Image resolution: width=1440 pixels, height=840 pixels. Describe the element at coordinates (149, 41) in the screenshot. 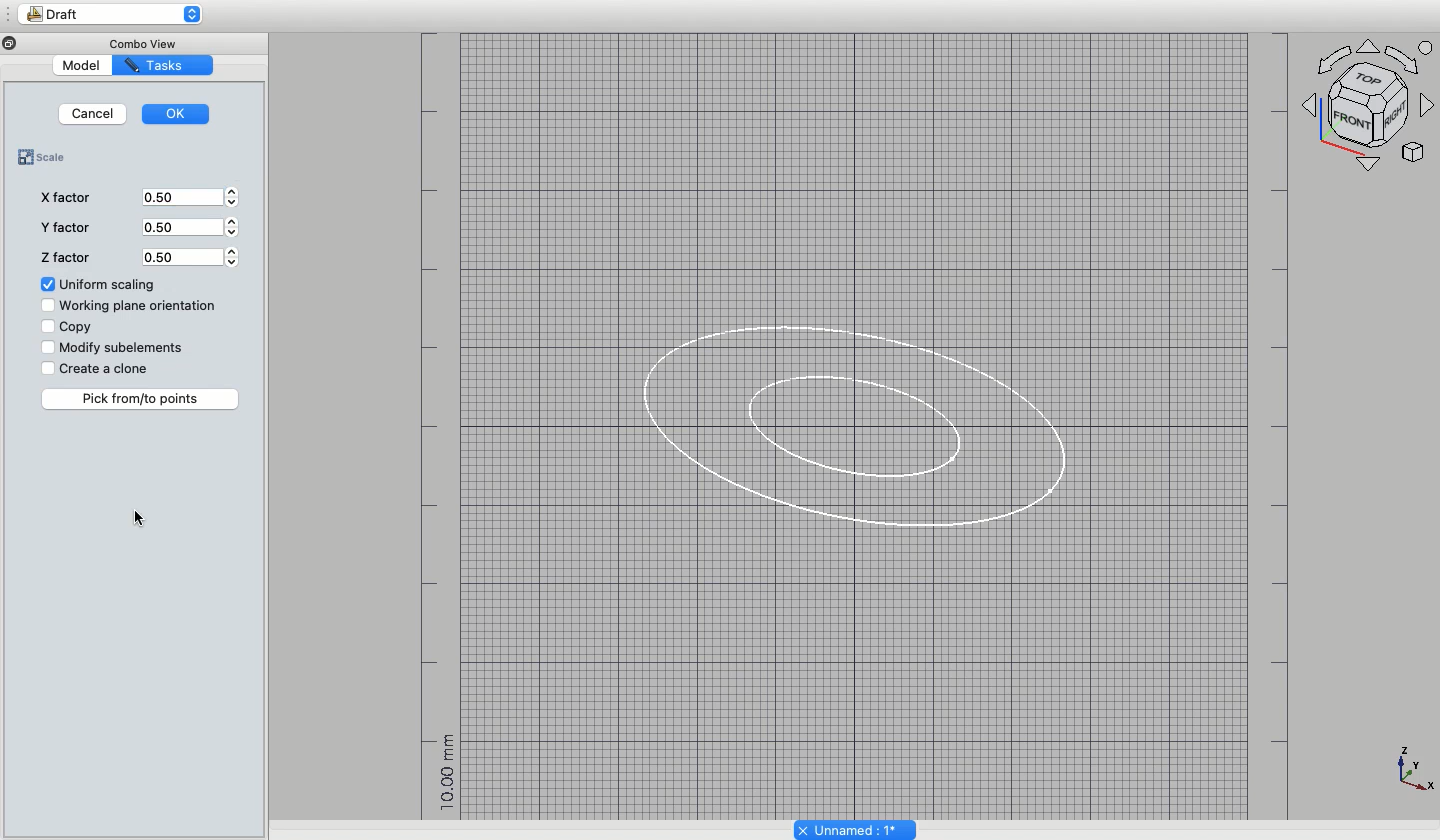

I see `Combo View` at that location.